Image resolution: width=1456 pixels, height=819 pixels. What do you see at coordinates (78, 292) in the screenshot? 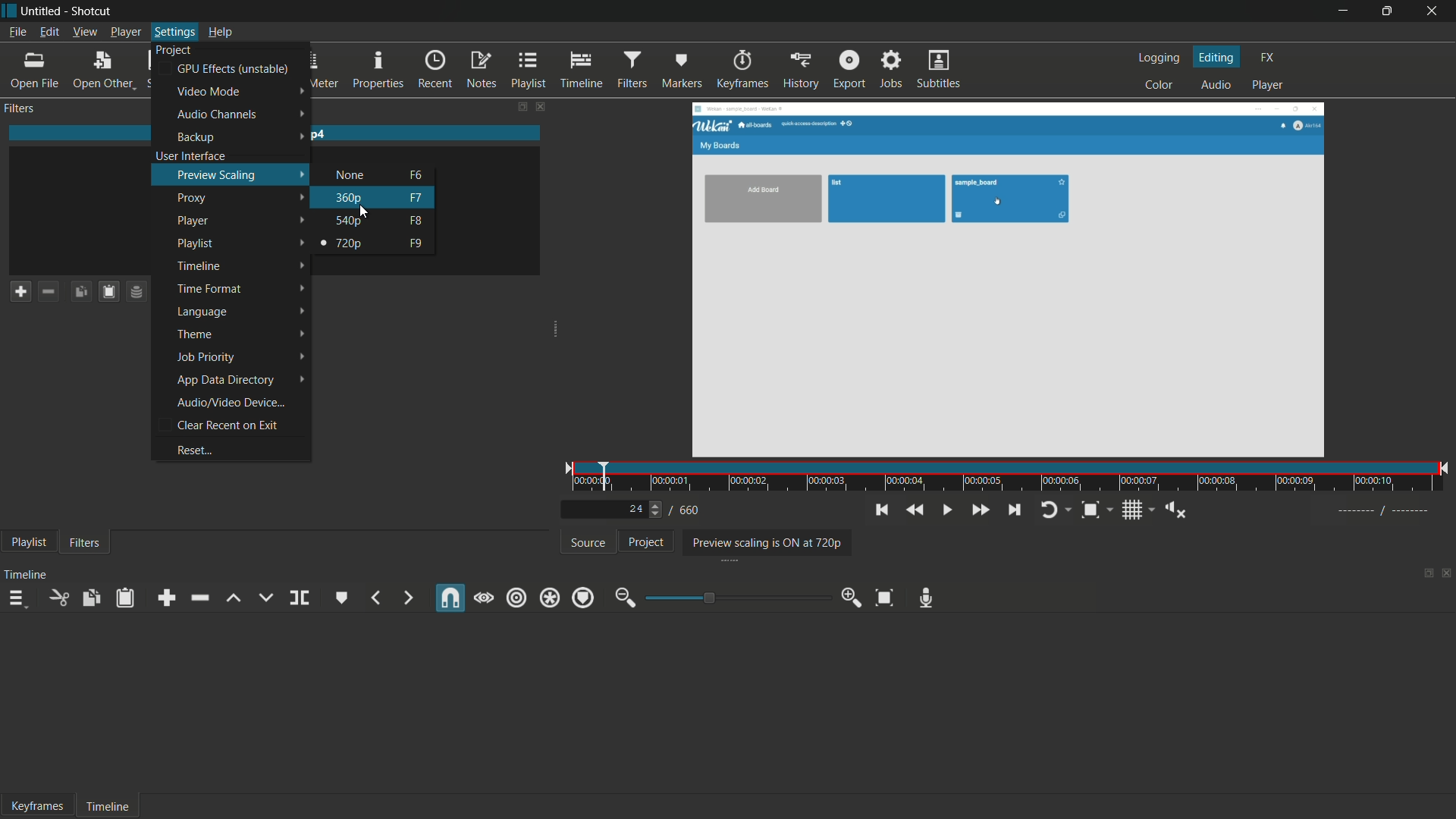
I see `copy checked filters` at bounding box center [78, 292].